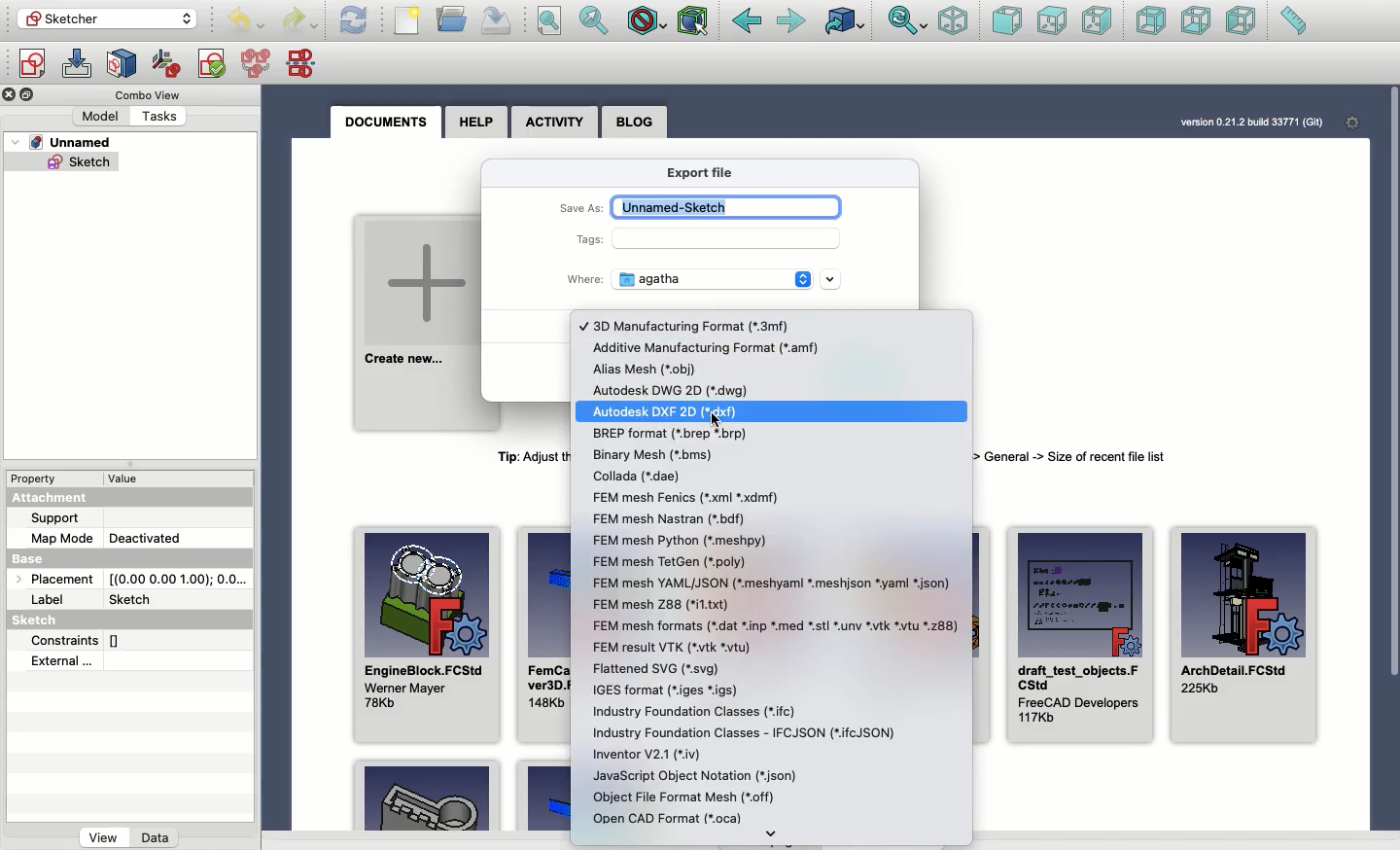 The height and width of the screenshot is (850, 1400). I want to click on Sketcher, so click(105, 19).